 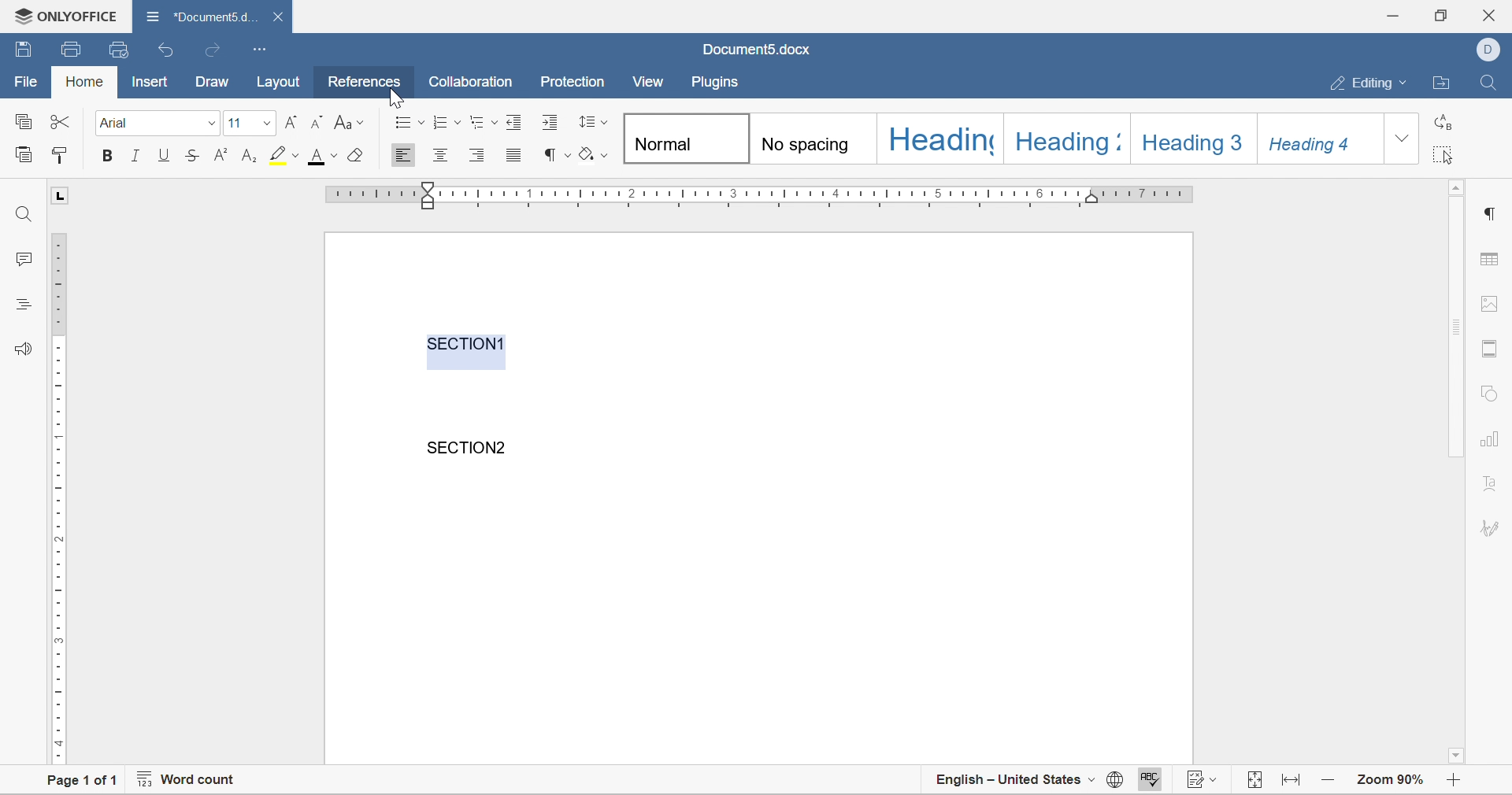 I want to click on table settings, so click(x=1492, y=261).